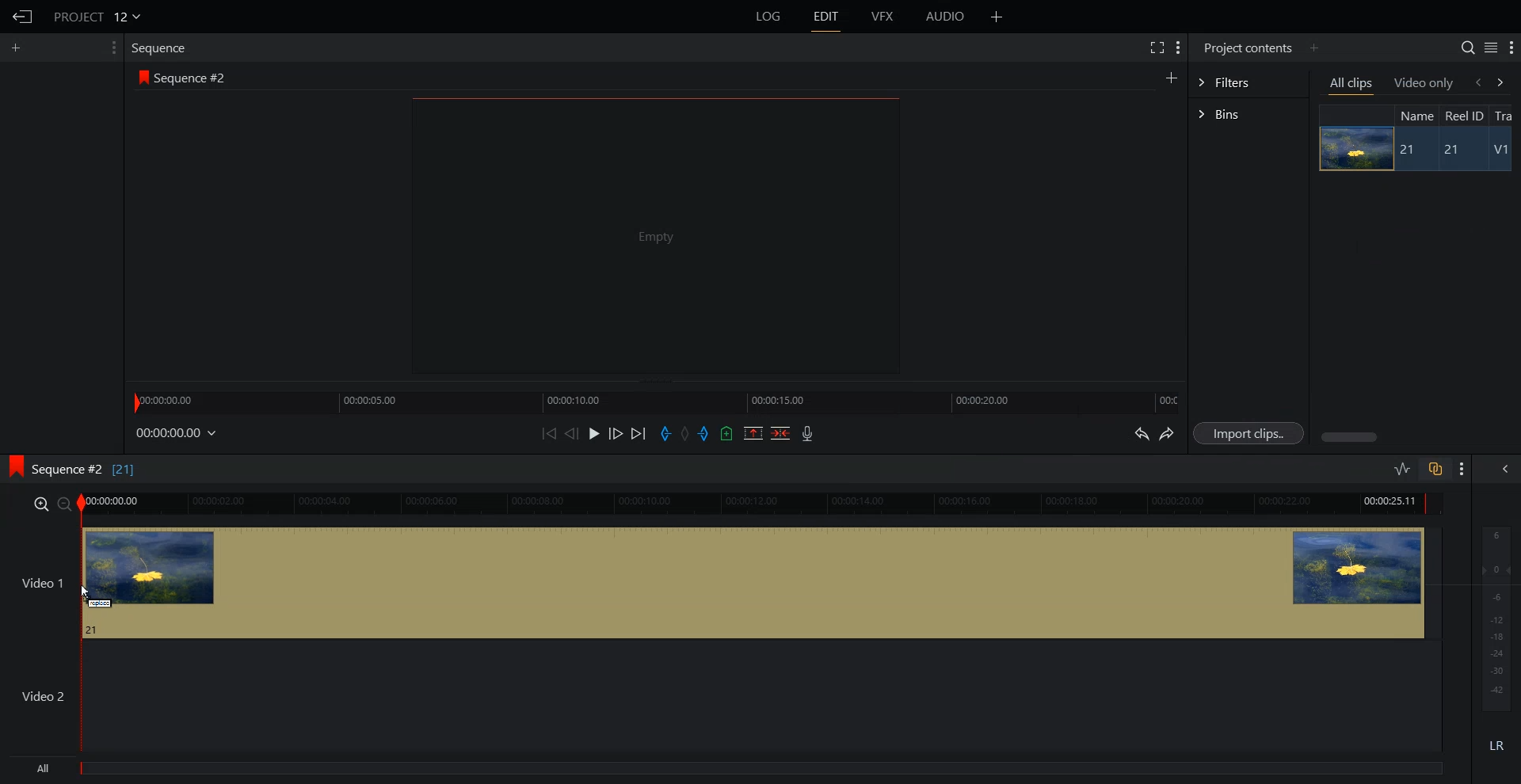 Image resolution: width=1521 pixels, height=784 pixels. I want to click on Timeline, so click(764, 504).